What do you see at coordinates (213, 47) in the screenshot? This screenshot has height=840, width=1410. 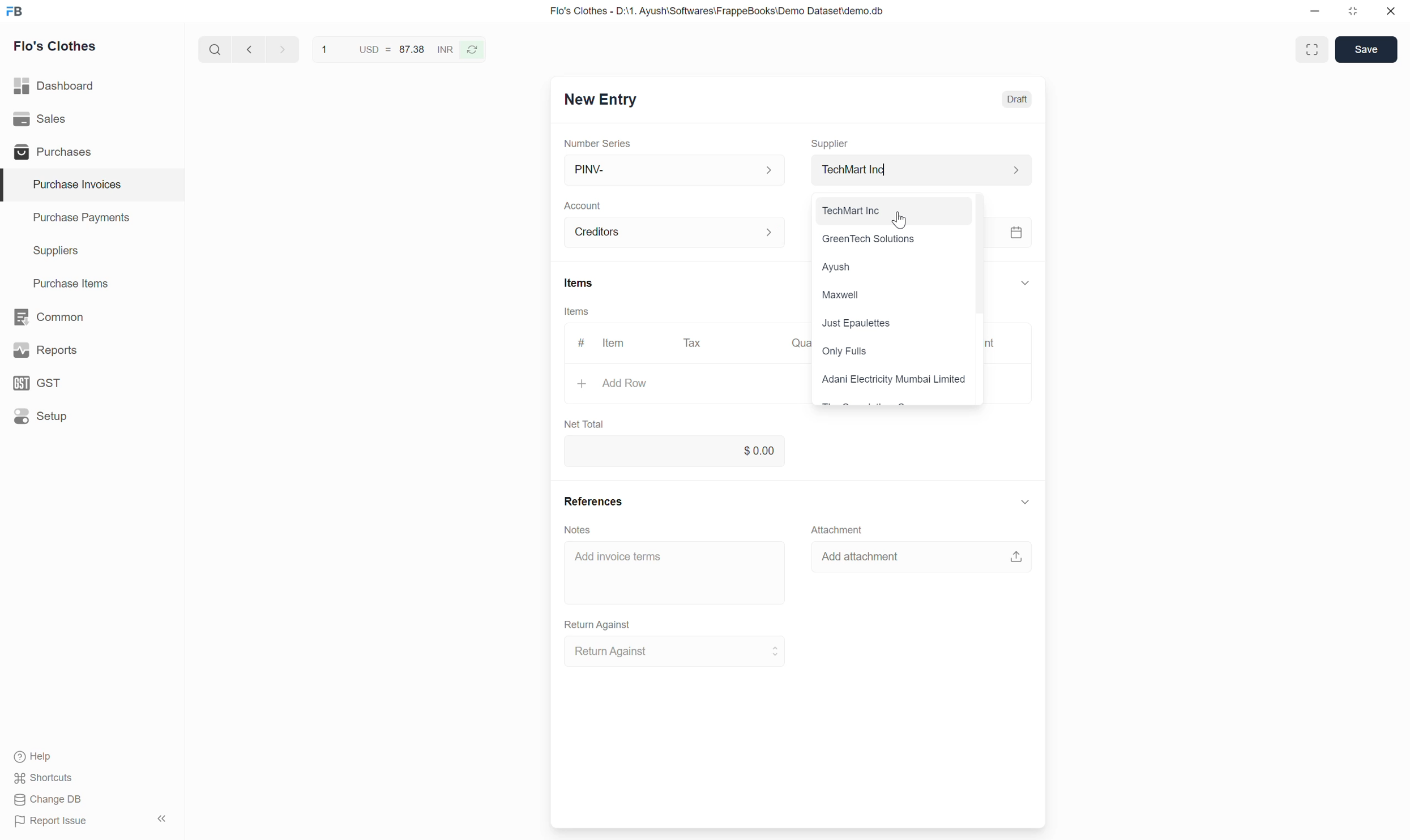 I see `search` at bounding box center [213, 47].